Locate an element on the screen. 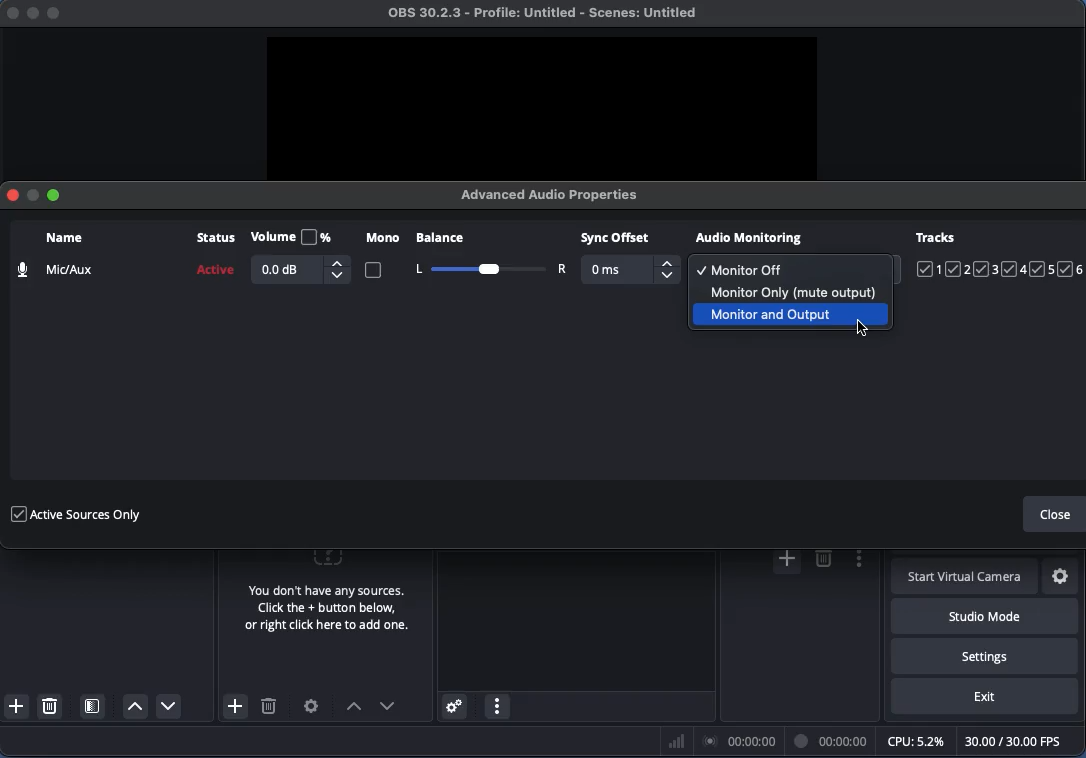 The height and width of the screenshot is (758, 1086). Exit is located at coordinates (985, 697).